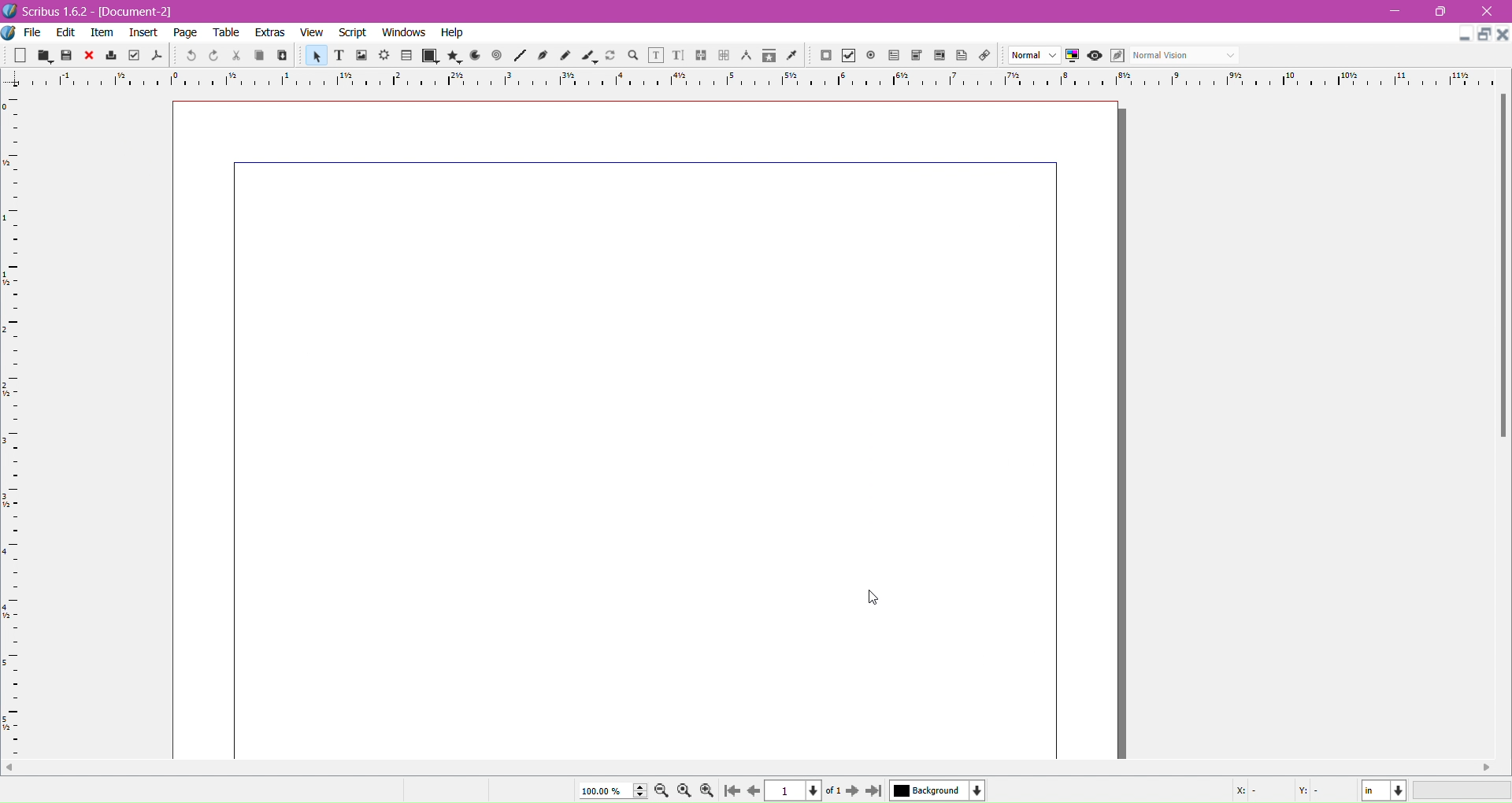 Image resolution: width=1512 pixels, height=803 pixels. I want to click on multiple tabs, so click(1485, 32).